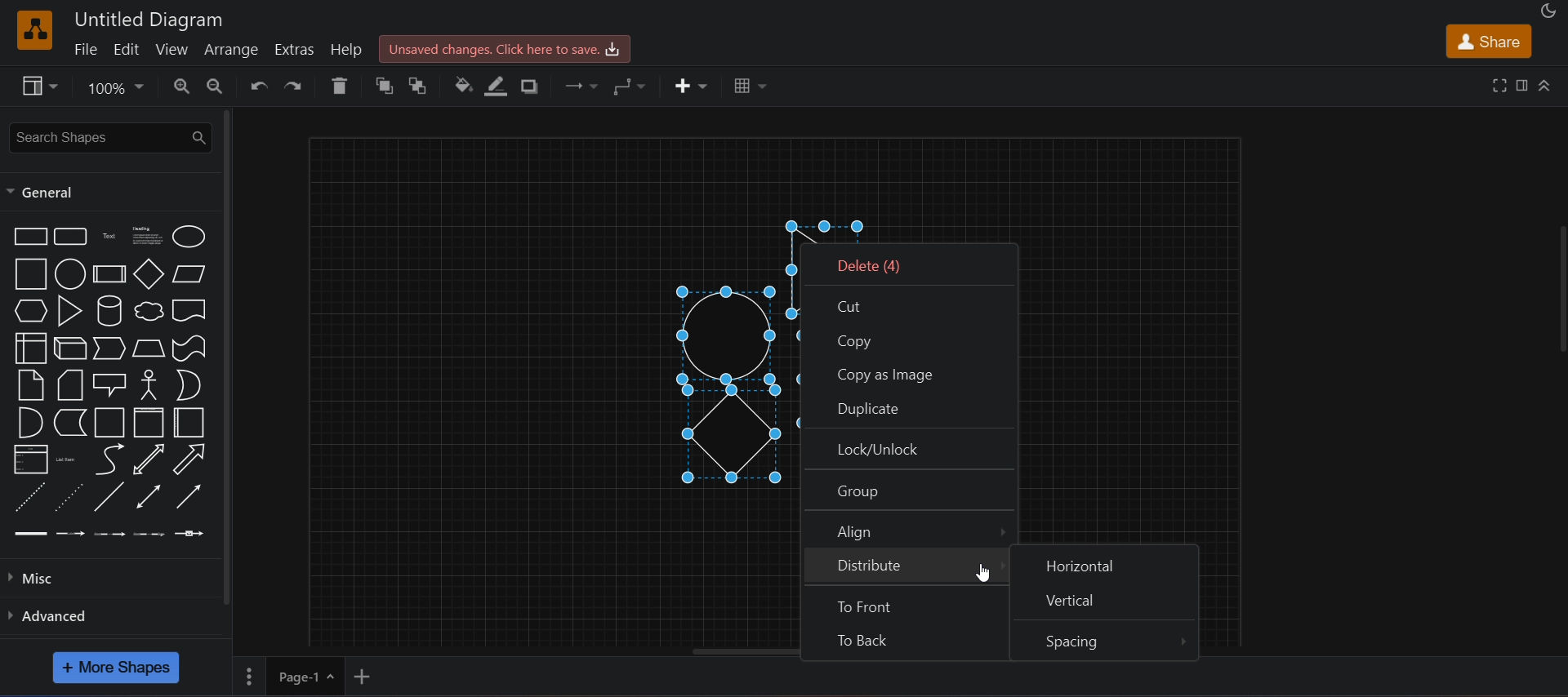 The width and height of the screenshot is (1568, 697). What do you see at coordinates (463, 84) in the screenshot?
I see `fill color` at bounding box center [463, 84].